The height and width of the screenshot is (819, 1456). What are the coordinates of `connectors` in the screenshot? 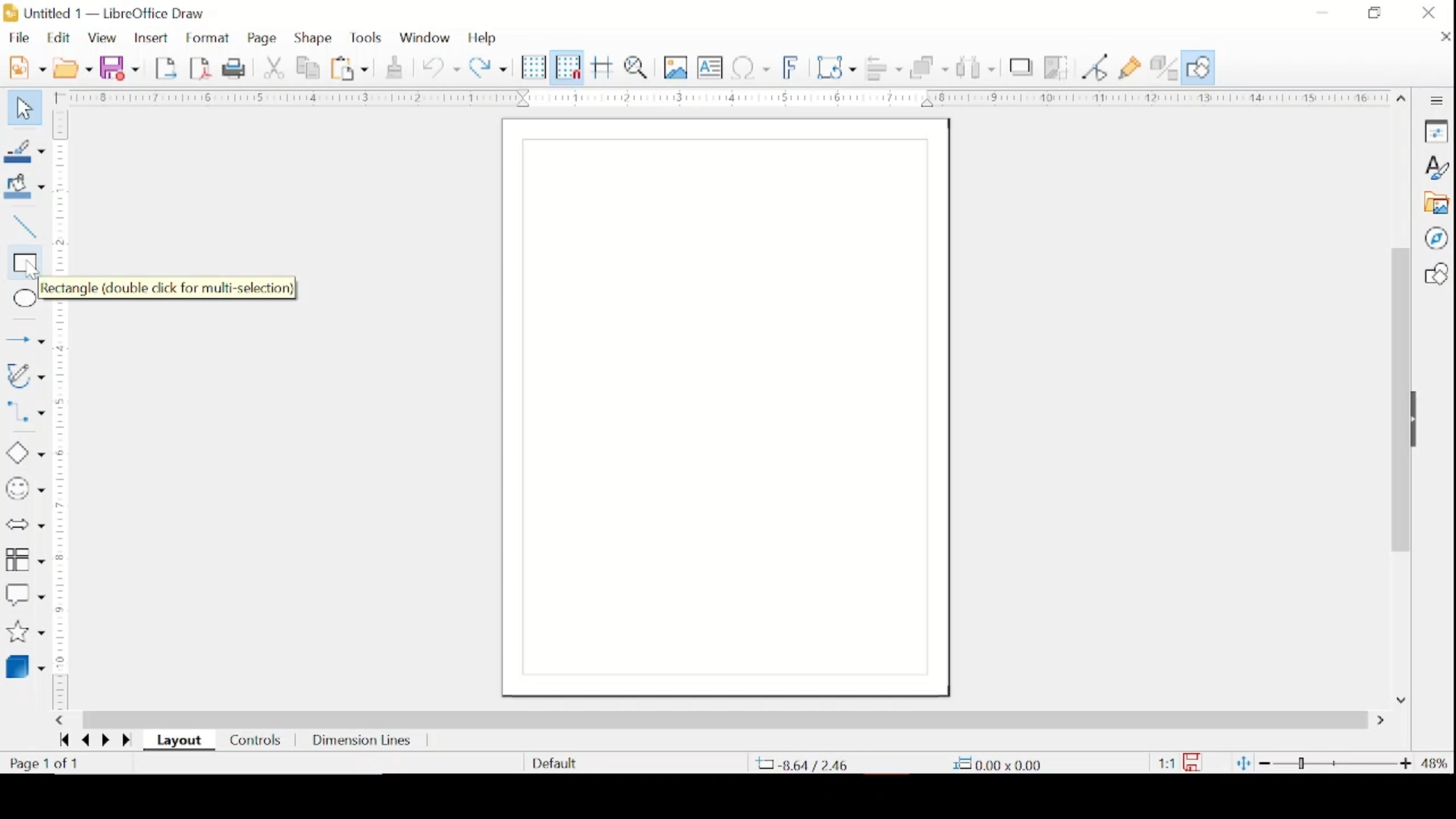 It's located at (25, 415).